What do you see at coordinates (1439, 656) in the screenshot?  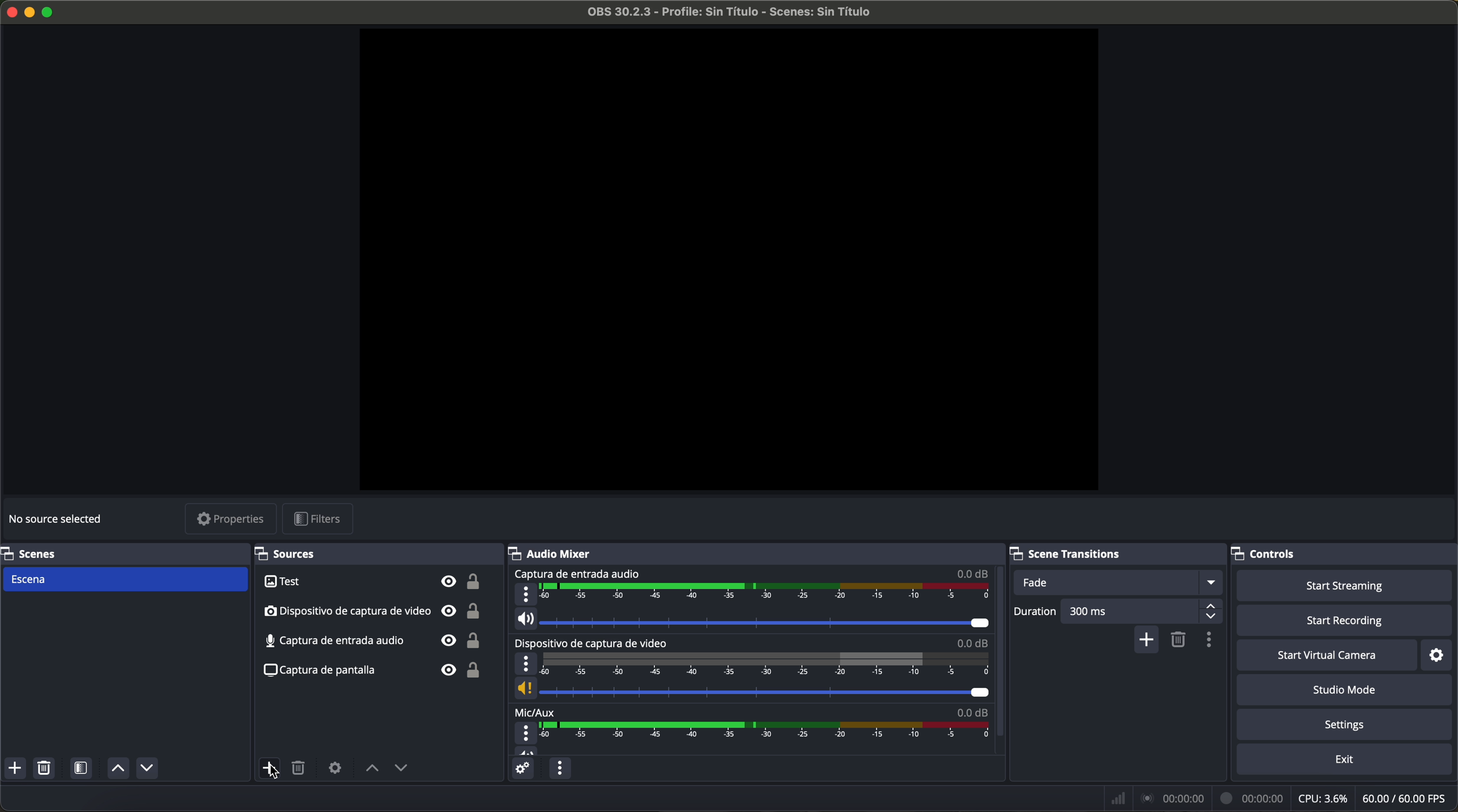 I see `settings` at bounding box center [1439, 656].